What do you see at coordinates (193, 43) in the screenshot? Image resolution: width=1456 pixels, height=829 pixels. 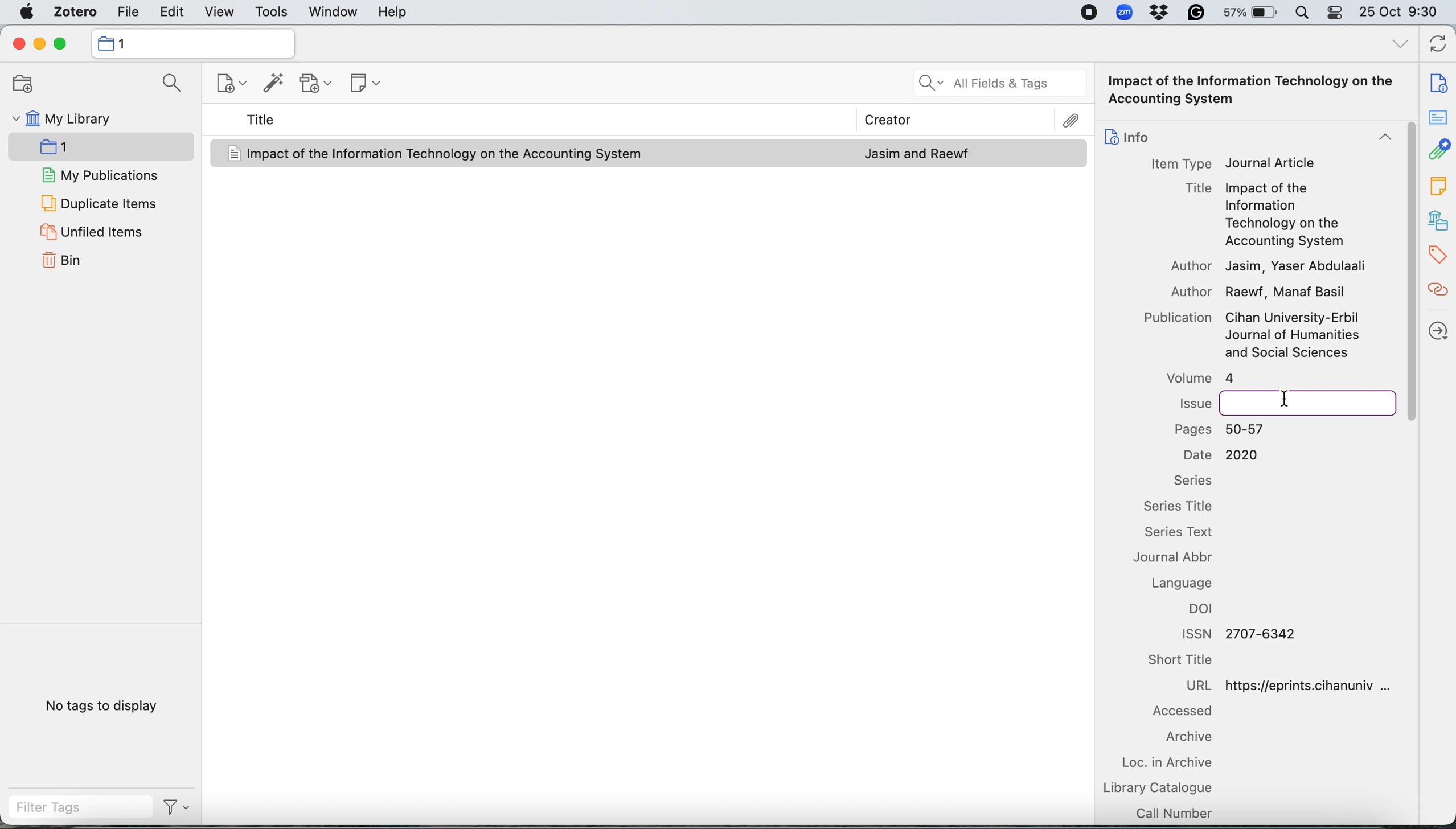 I see `collection` at bounding box center [193, 43].